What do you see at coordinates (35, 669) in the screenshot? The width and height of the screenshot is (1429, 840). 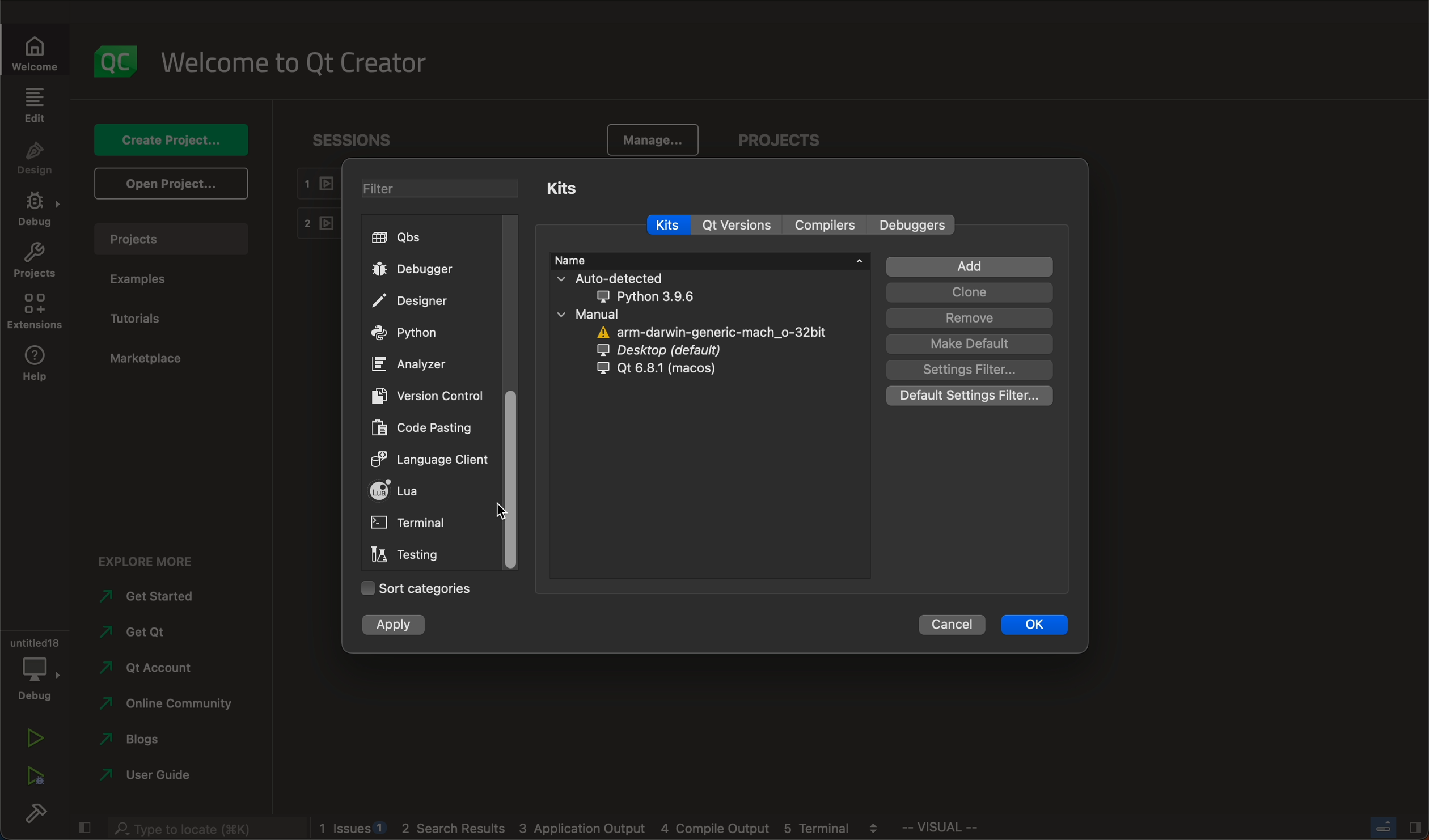 I see `debug` at bounding box center [35, 669].